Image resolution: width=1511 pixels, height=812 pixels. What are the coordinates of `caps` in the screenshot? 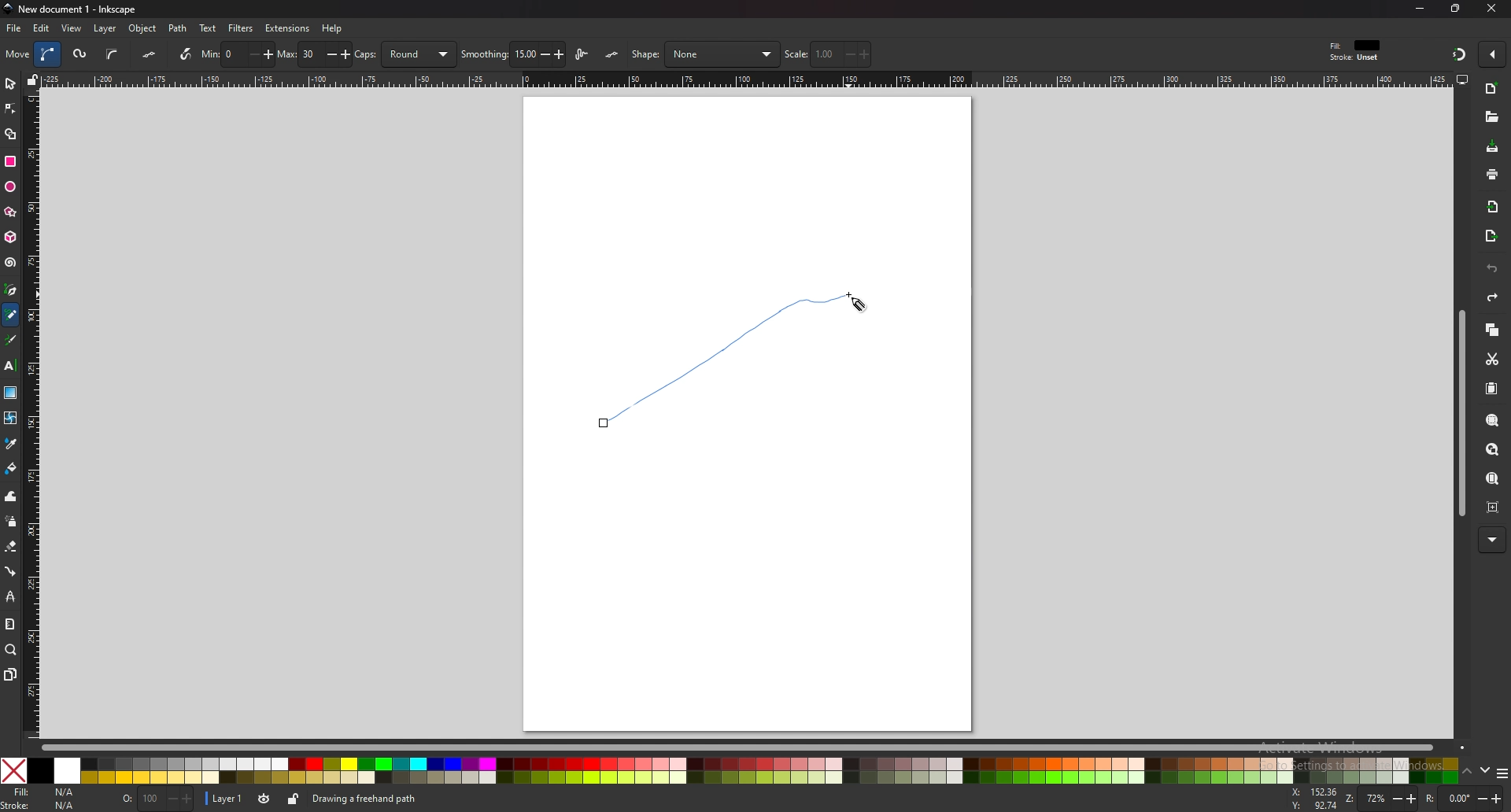 It's located at (405, 54).